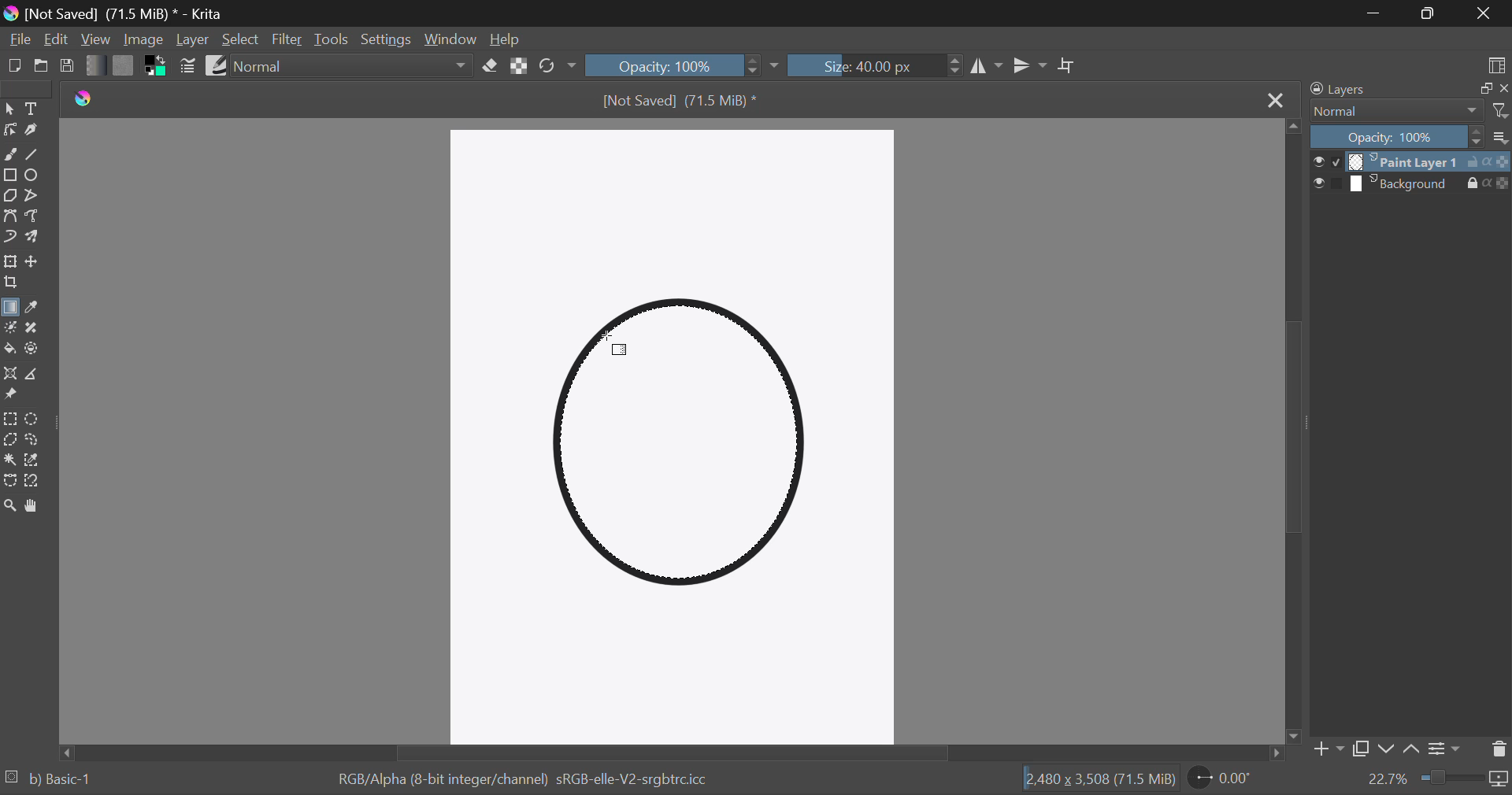  What do you see at coordinates (35, 217) in the screenshot?
I see `Freehand Path Tool` at bounding box center [35, 217].